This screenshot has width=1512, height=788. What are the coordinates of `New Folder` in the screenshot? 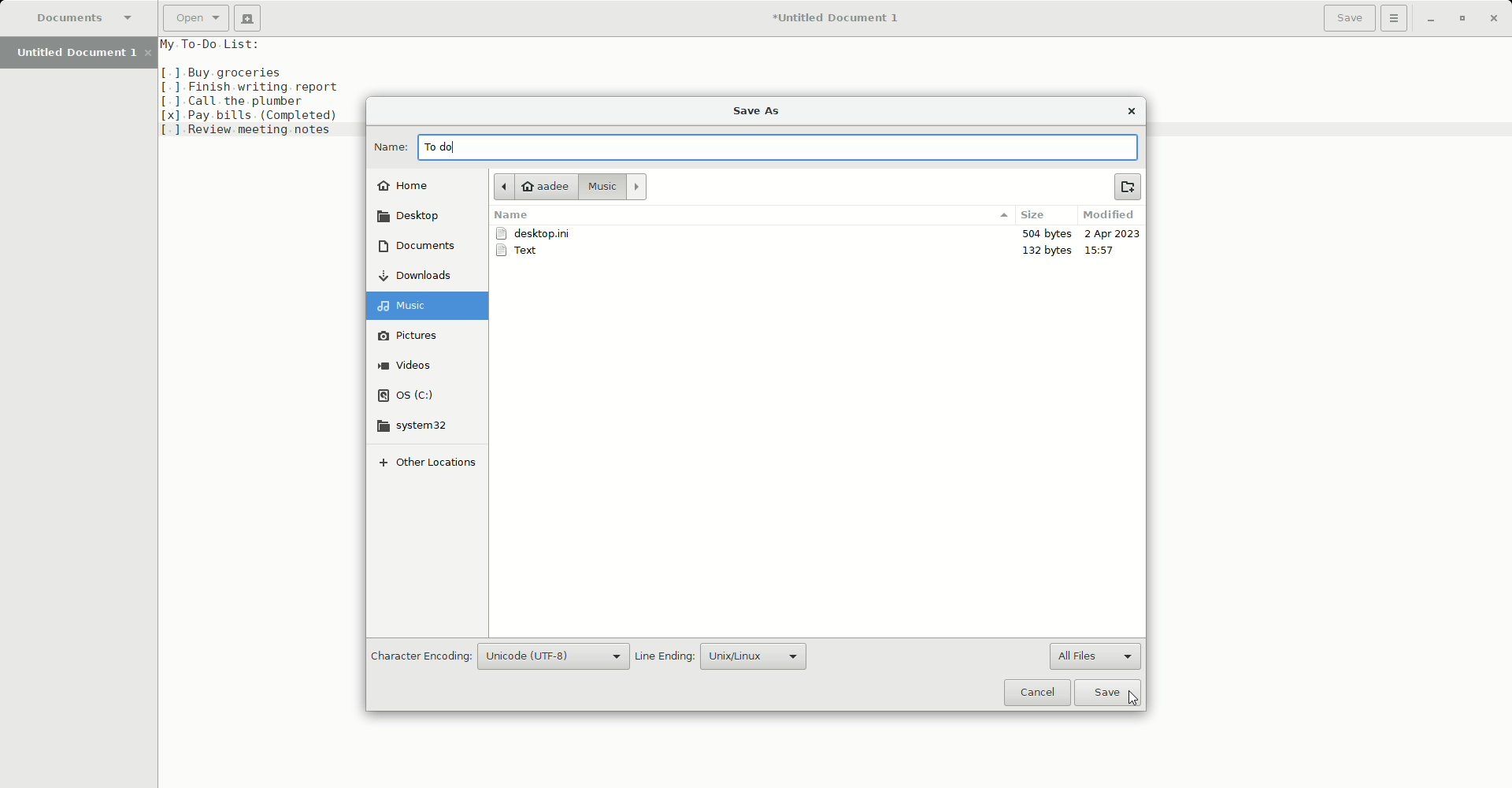 It's located at (1130, 187).